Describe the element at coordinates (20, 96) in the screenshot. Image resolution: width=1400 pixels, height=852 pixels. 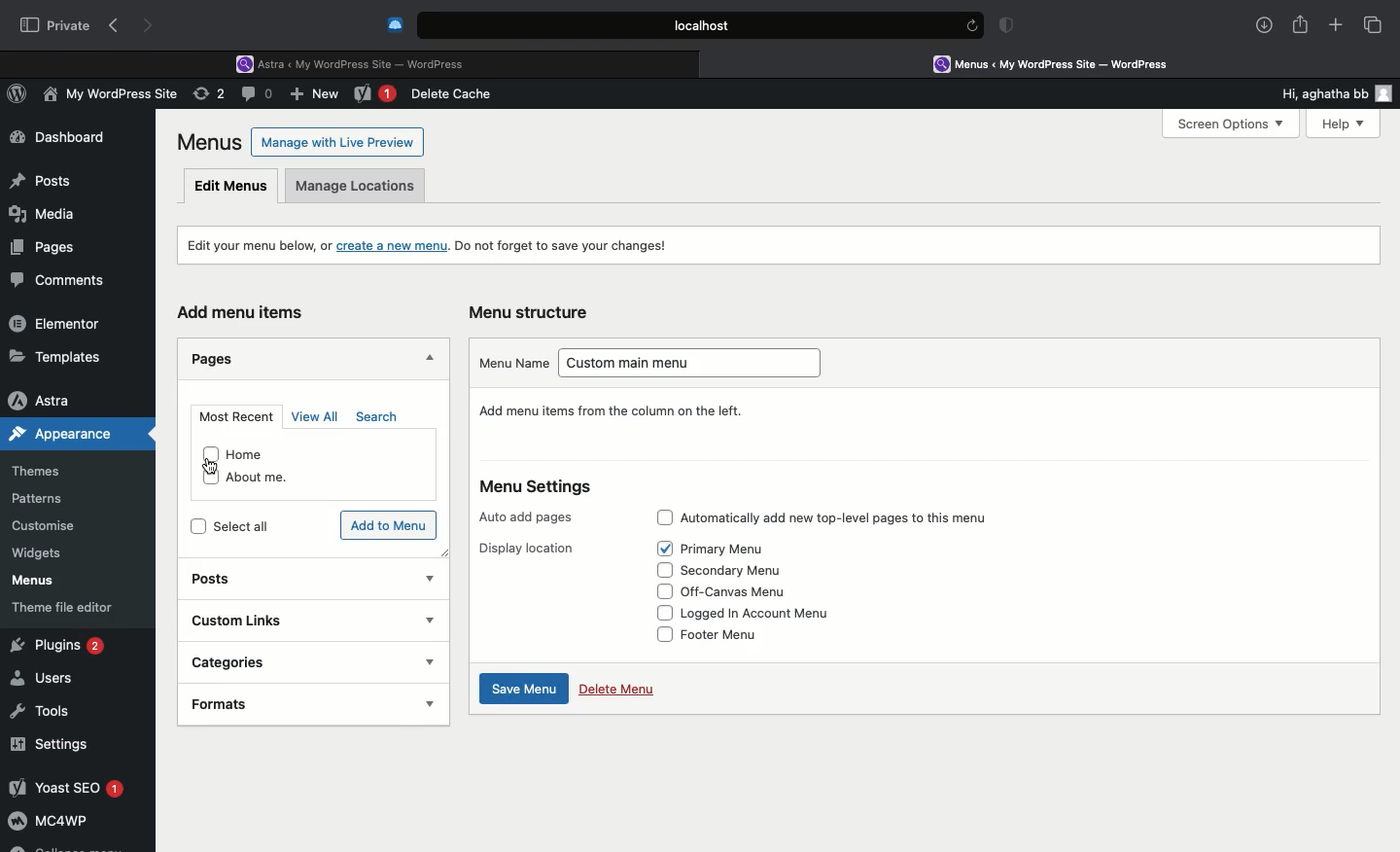
I see `WordPress Logo` at that location.